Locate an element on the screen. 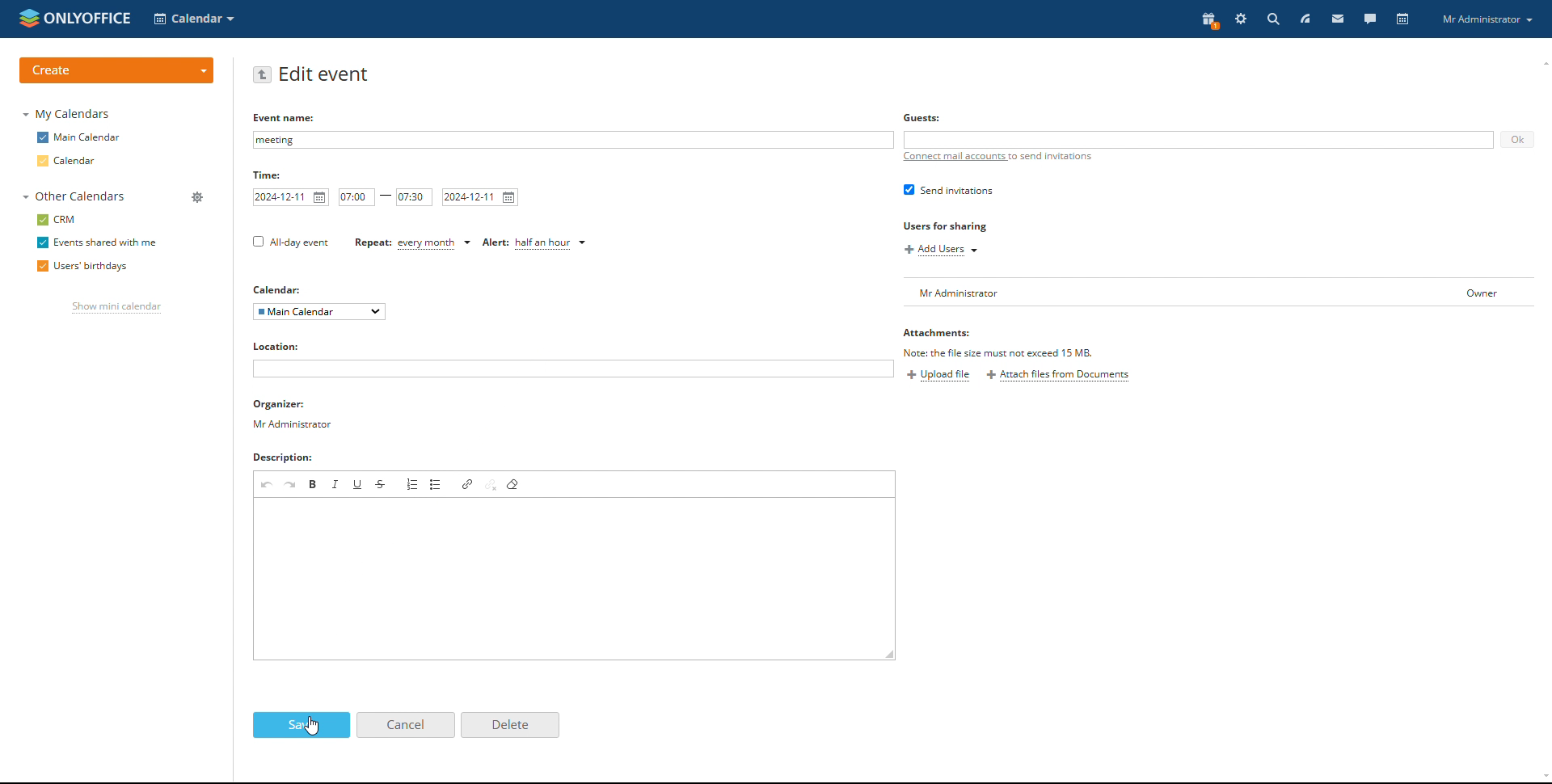  add guests is located at coordinates (1200, 139).